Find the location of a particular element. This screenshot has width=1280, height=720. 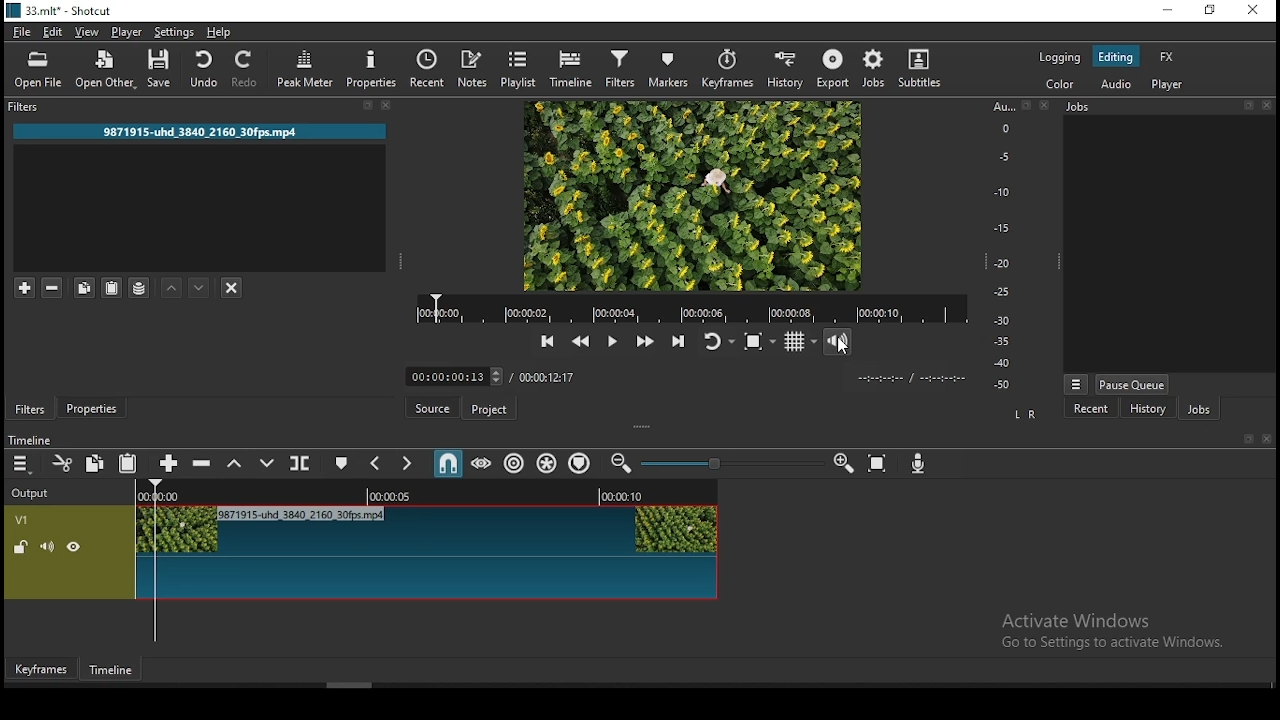

Jobs is located at coordinates (1088, 108).